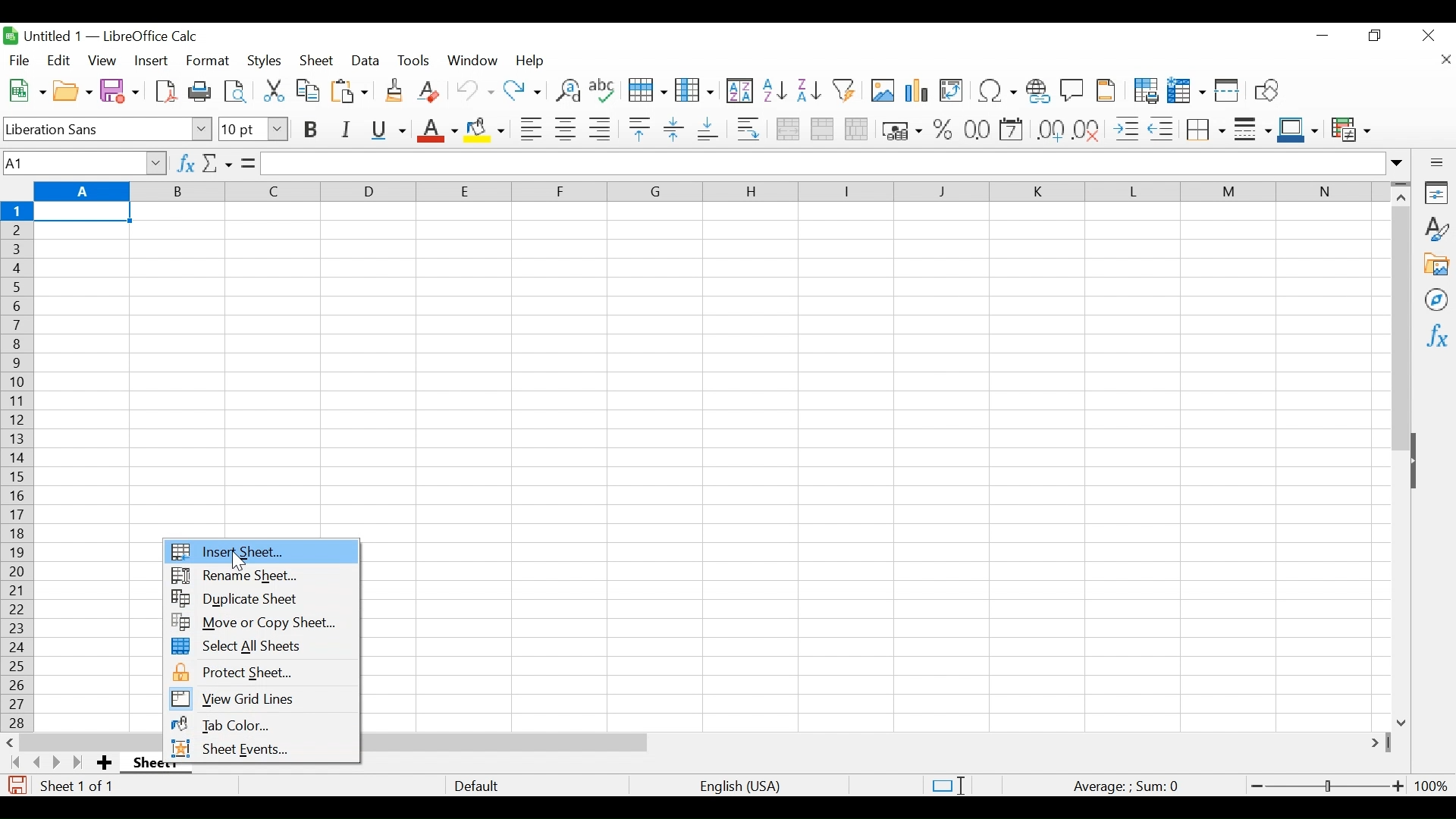 The height and width of the screenshot is (819, 1456). What do you see at coordinates (184, 163) in the screenshot?
I see `Function Wizard` at bounding box center [184, 163].